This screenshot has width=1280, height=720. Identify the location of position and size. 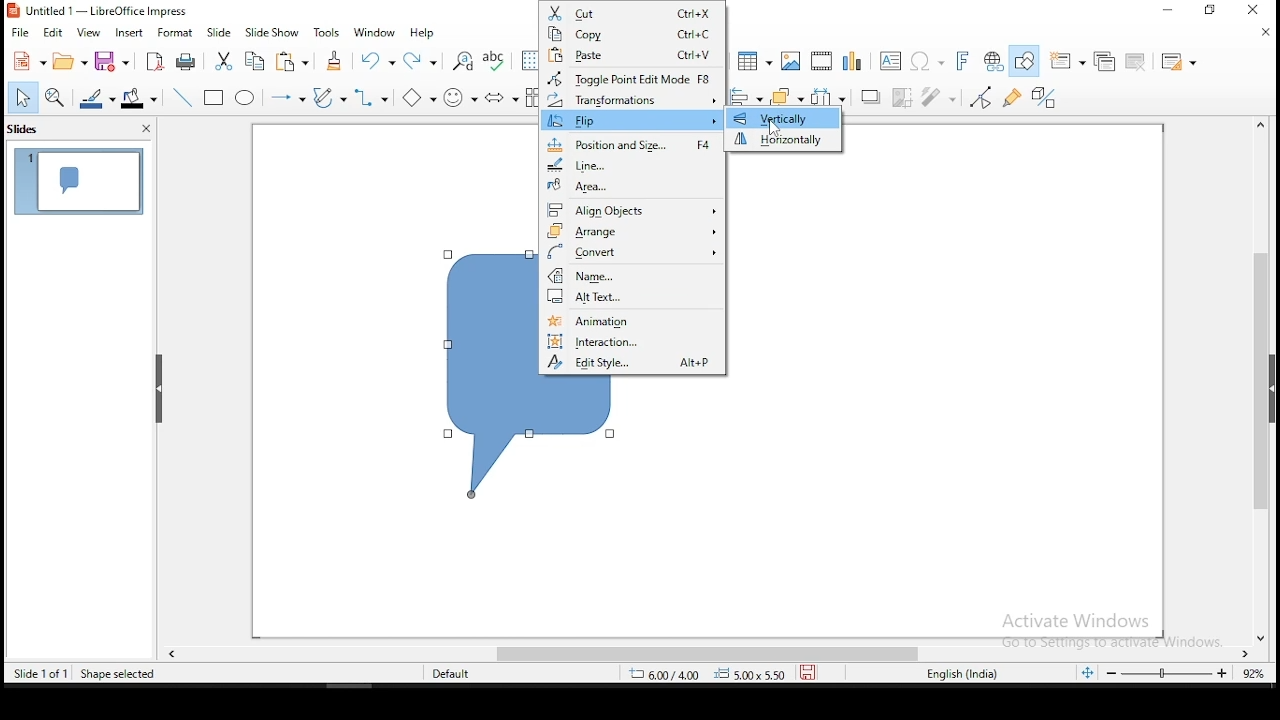
(635, 143).